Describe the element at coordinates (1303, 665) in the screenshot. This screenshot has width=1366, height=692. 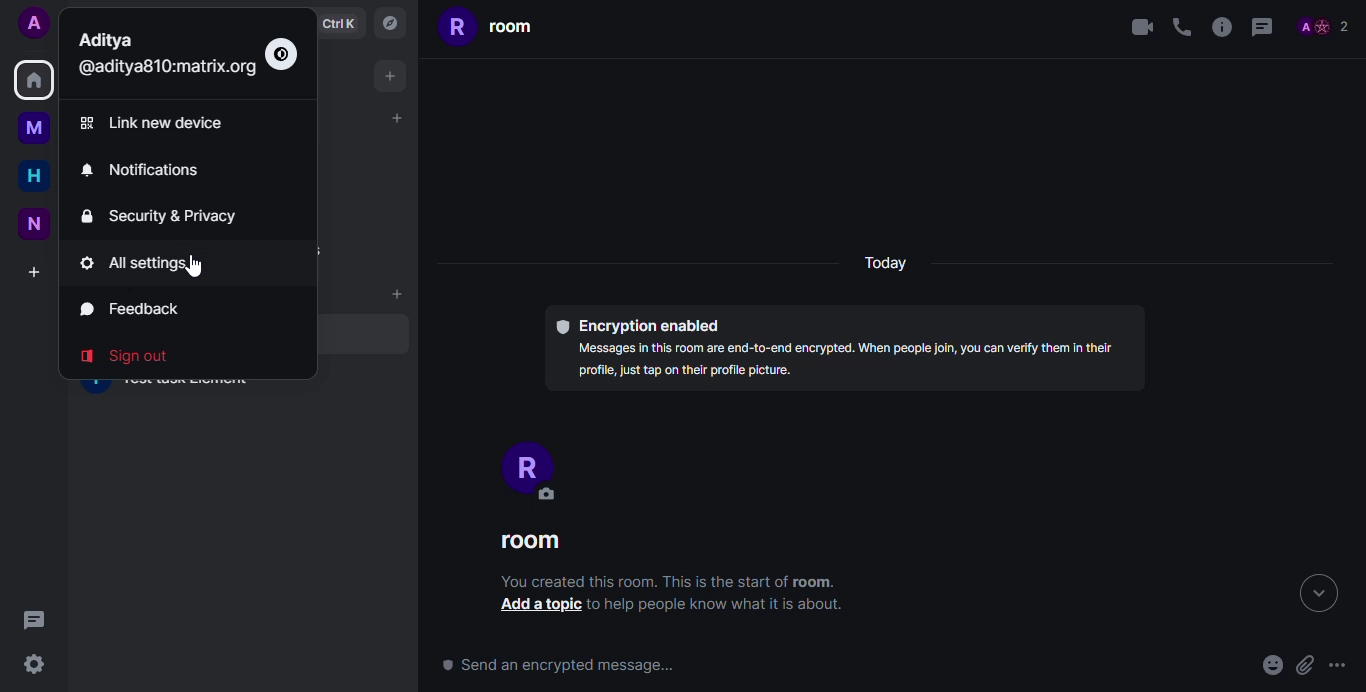
I see `attach` at that location.